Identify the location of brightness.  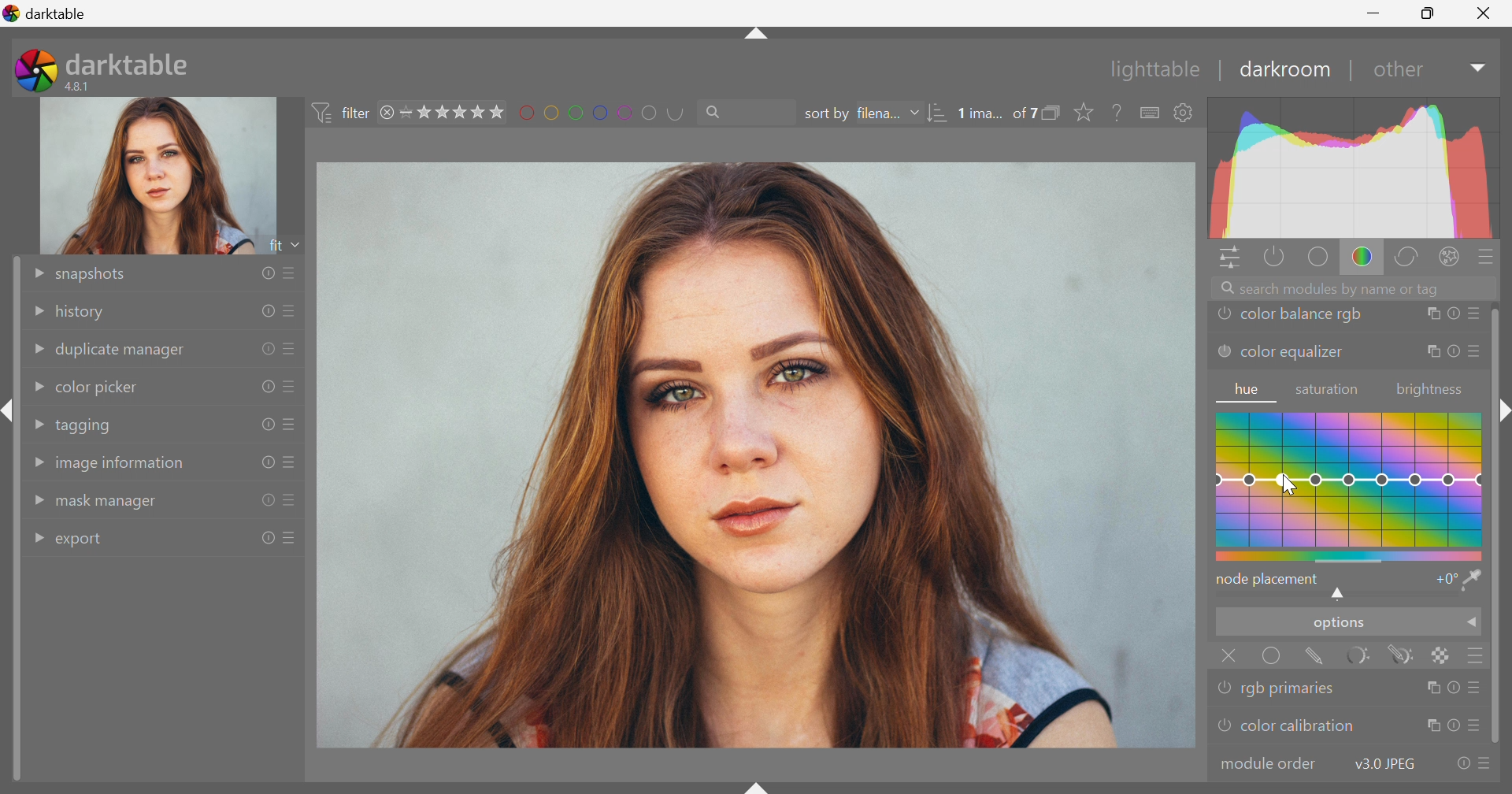
(1429, 390).